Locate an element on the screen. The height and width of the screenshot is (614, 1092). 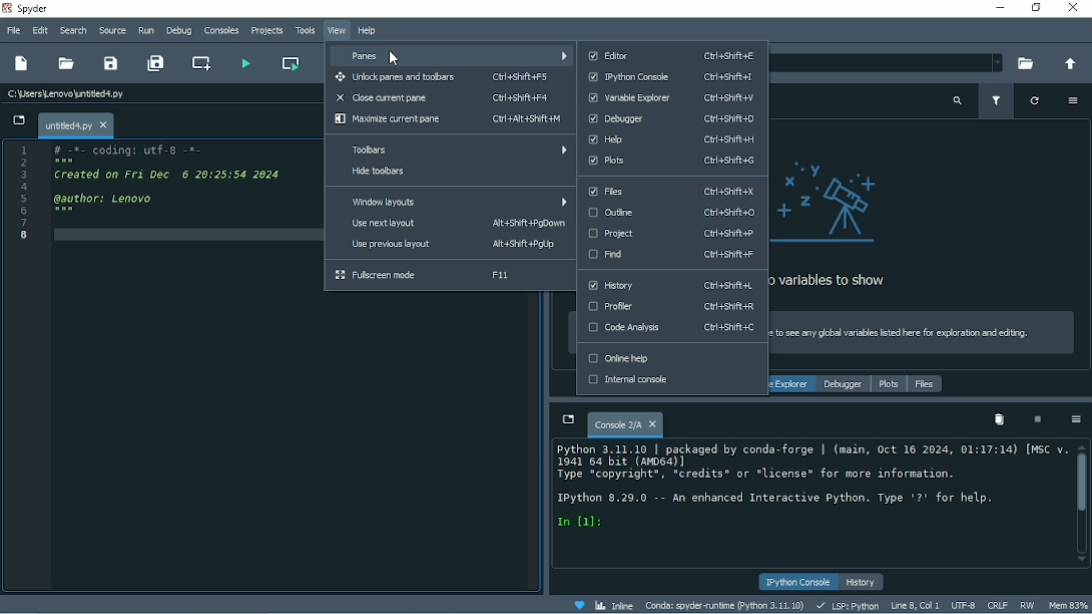
Line 8, Col 1 is located at coordinates (916, 604).